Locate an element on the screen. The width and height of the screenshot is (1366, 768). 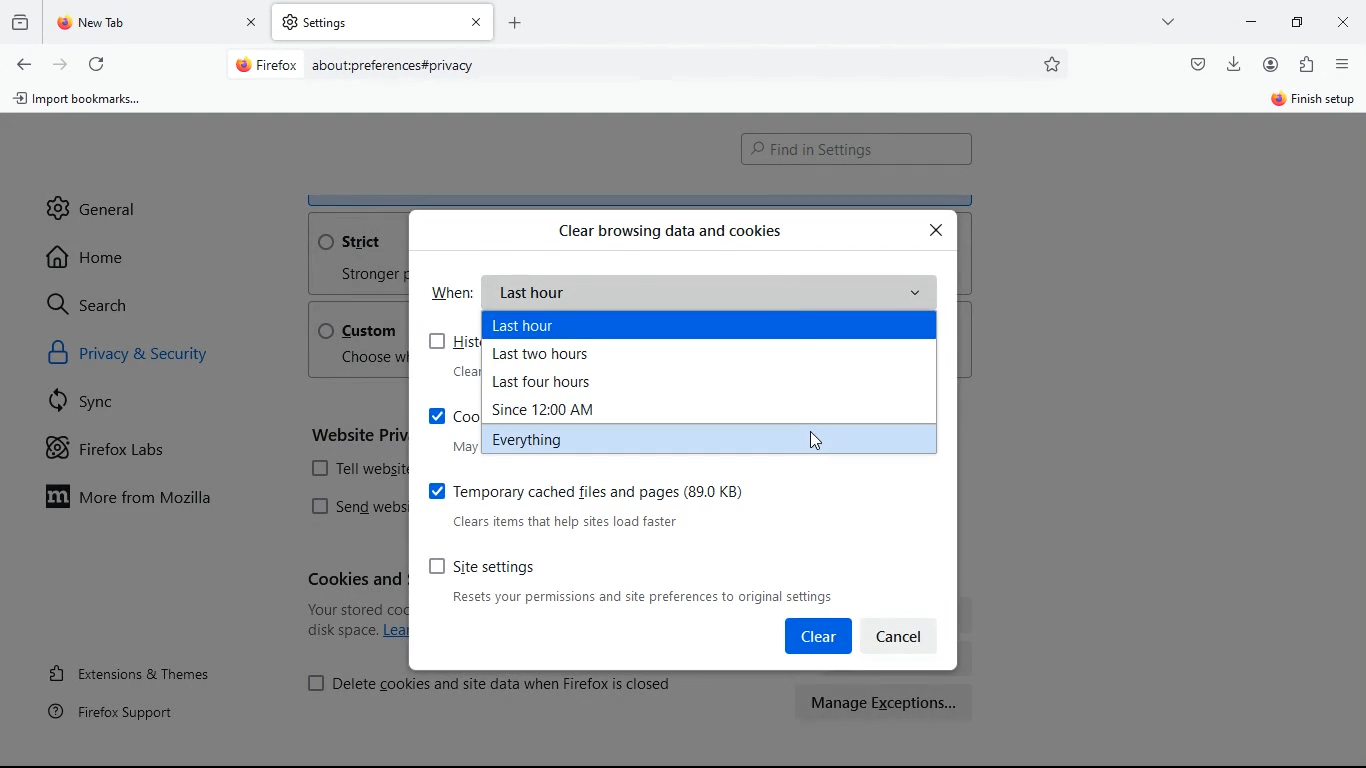
clear browsing data and cookies is located at coordinates (670, 230).